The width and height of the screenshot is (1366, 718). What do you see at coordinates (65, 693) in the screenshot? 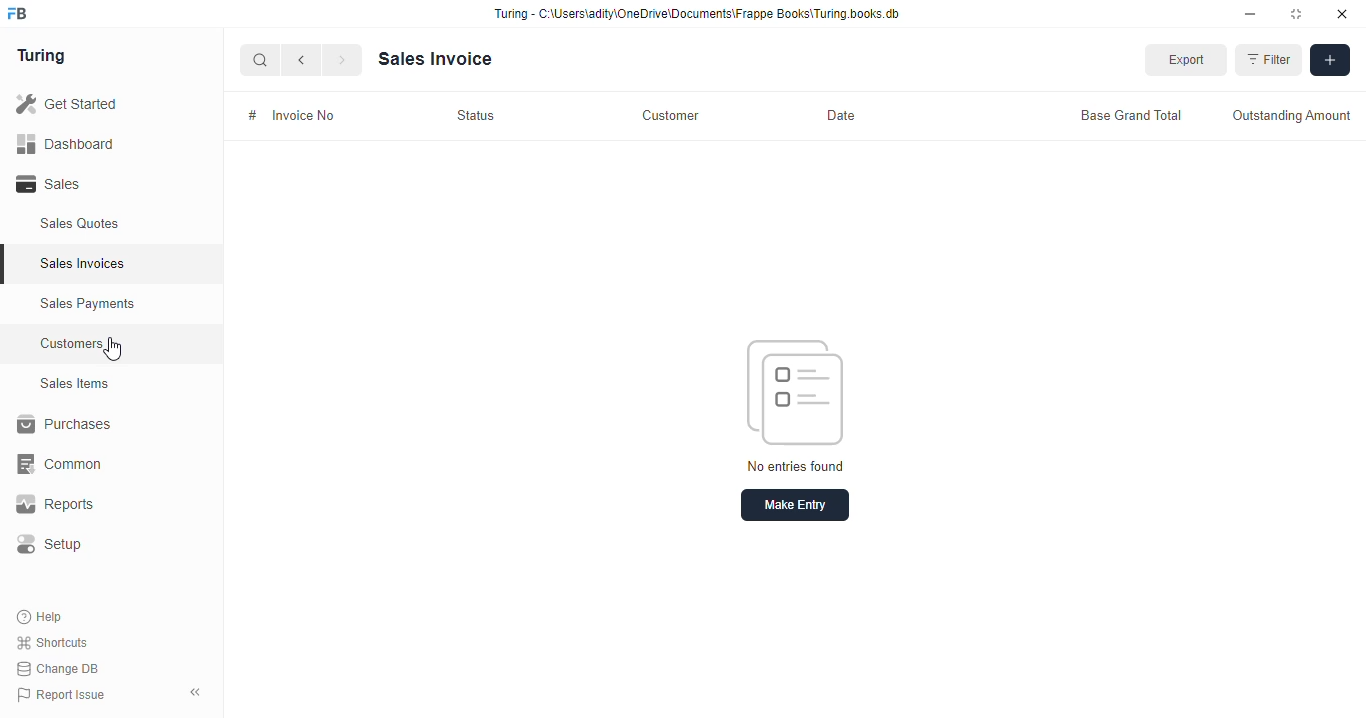
I see `Report Issue` at bounding box center [65, 693].